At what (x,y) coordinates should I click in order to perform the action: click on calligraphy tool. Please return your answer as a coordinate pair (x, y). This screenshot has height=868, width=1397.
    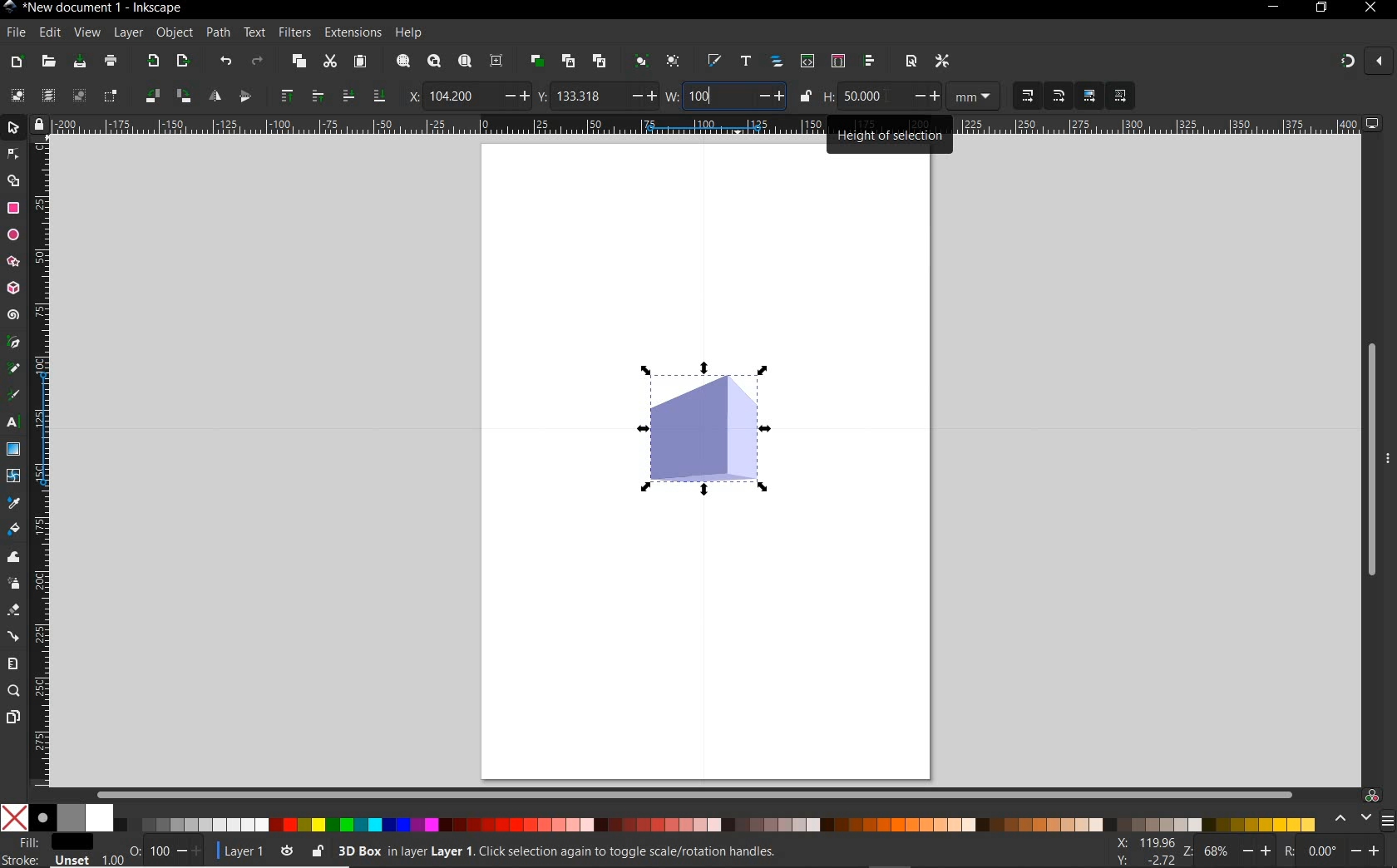
    Looking at the image, I should click on (13, 397).